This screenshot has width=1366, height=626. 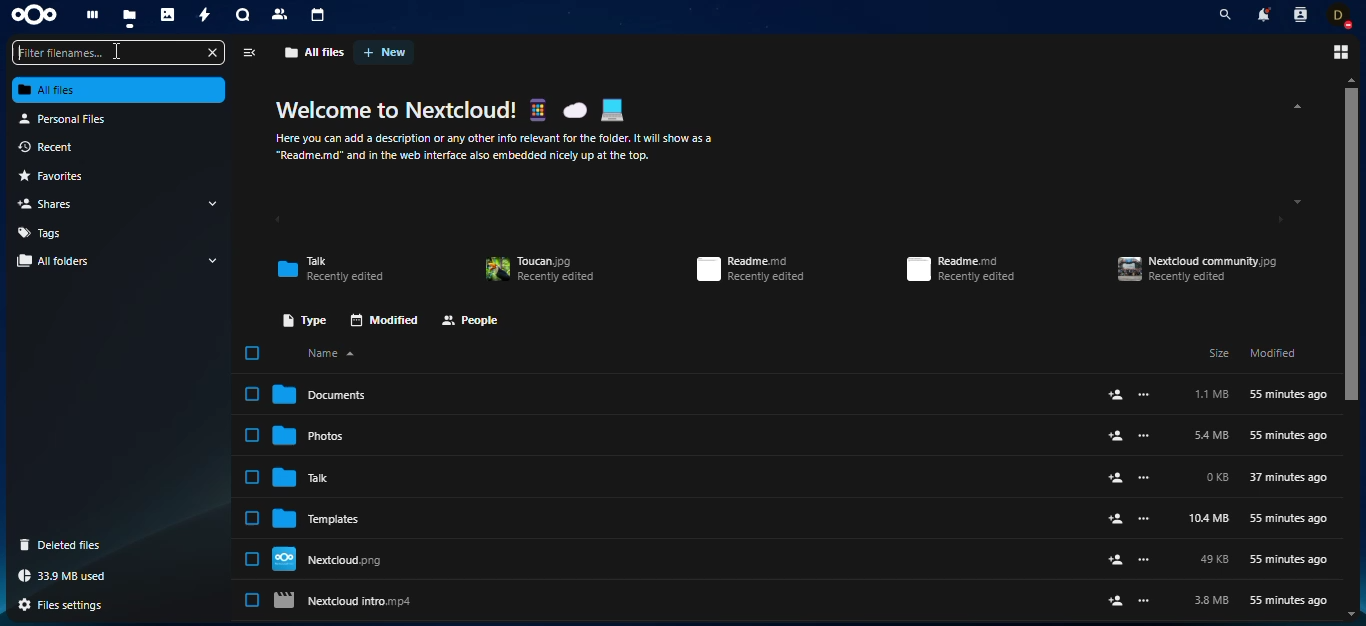 What do you see at coordinates (383, 320) in the screenshot?
I see `modified` at bounding box center [383, 320].